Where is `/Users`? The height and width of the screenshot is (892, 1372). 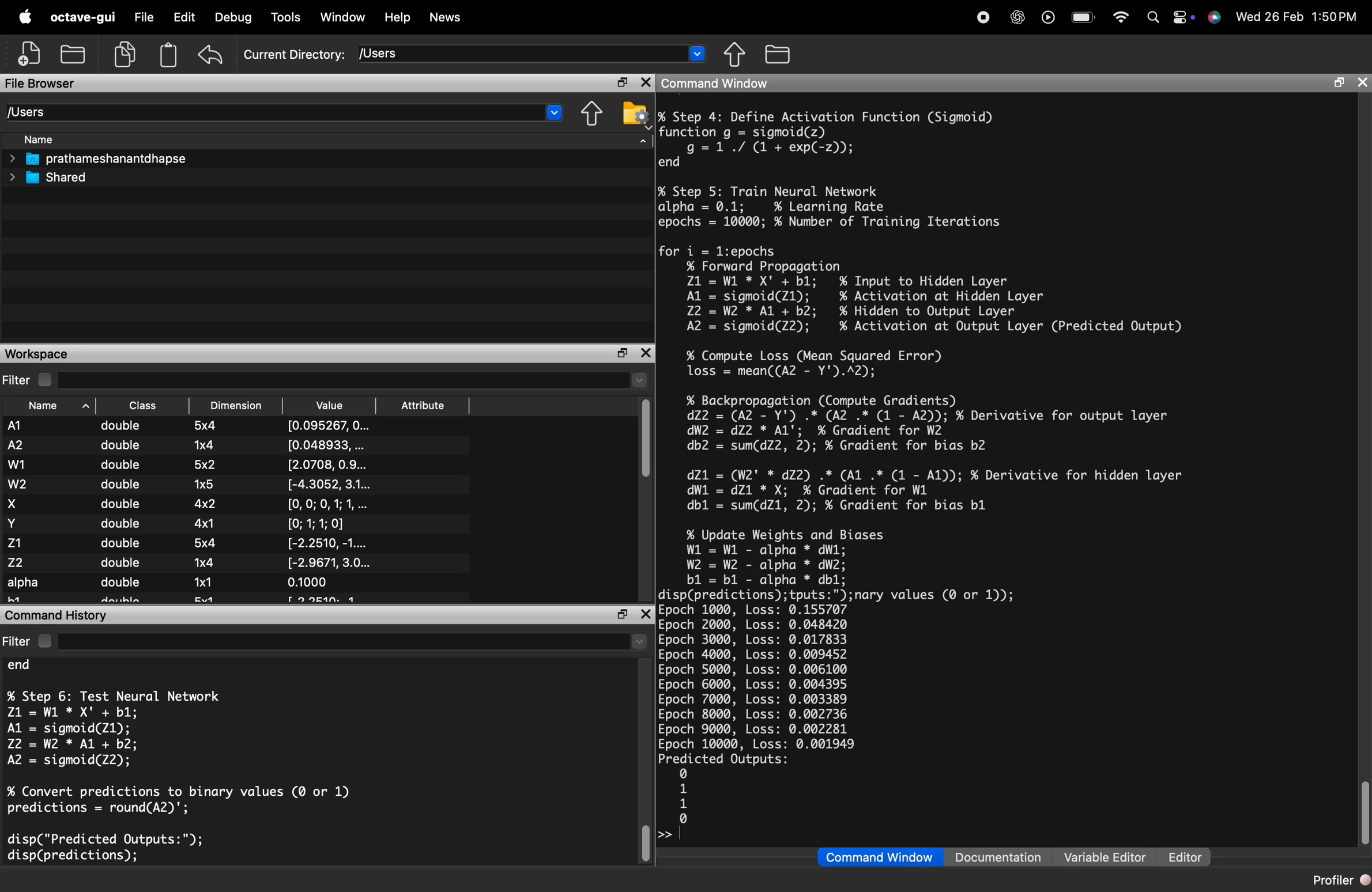
/Users is located at coordinates (532, 53).